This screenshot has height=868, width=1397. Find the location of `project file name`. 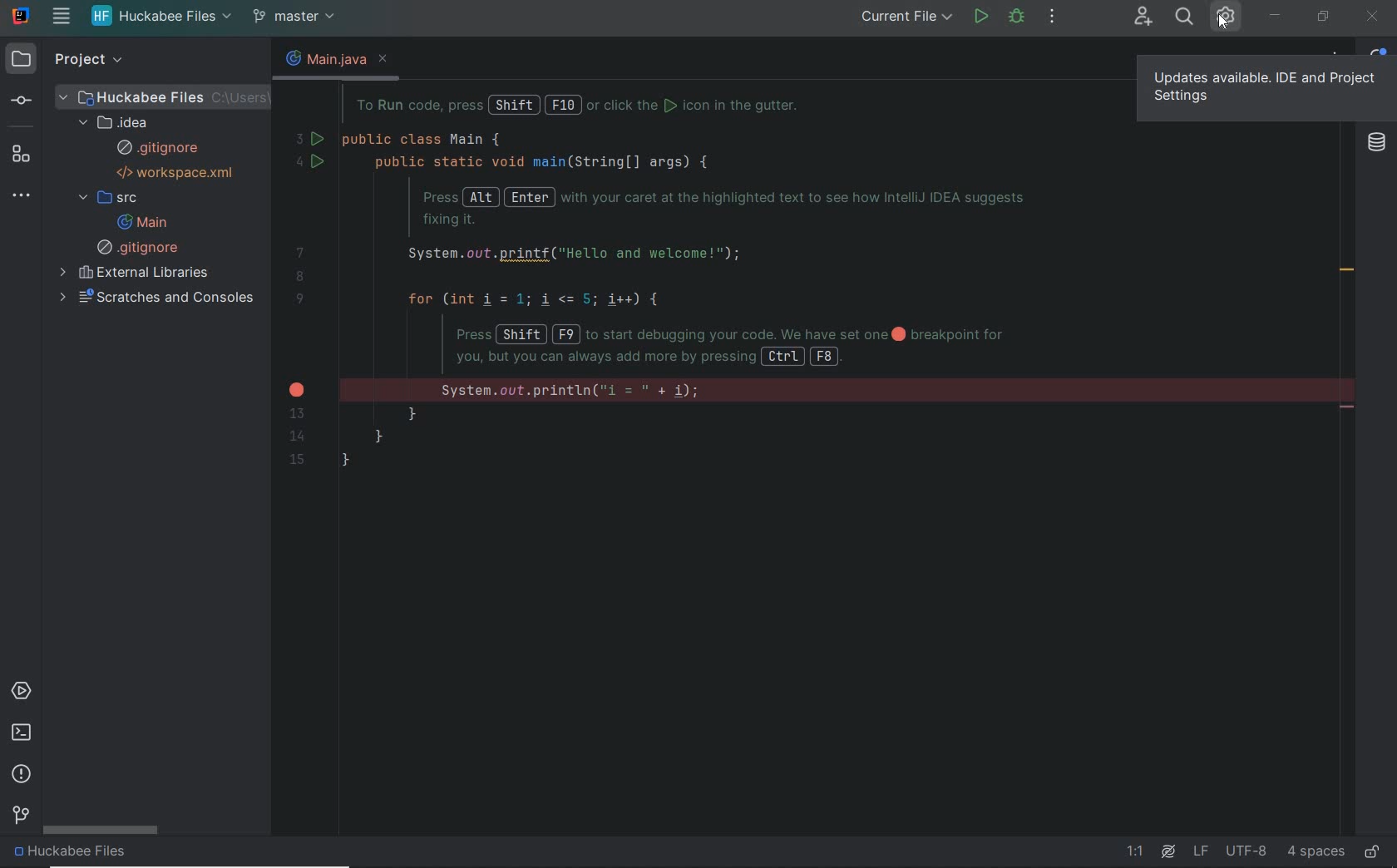

project file name is located at coordinates (165, 96).